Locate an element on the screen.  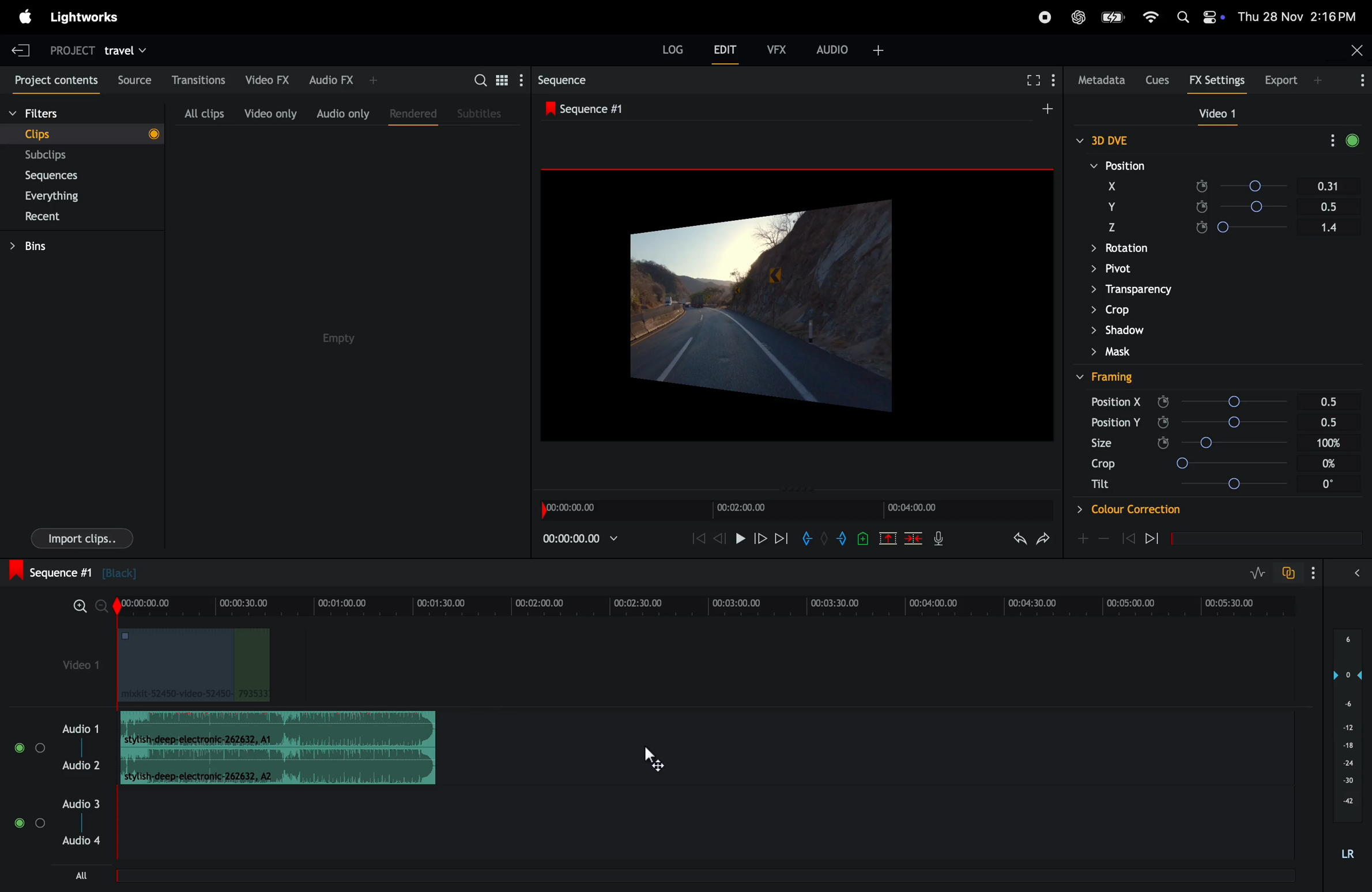
transitons is located at coordinates (198, 76).